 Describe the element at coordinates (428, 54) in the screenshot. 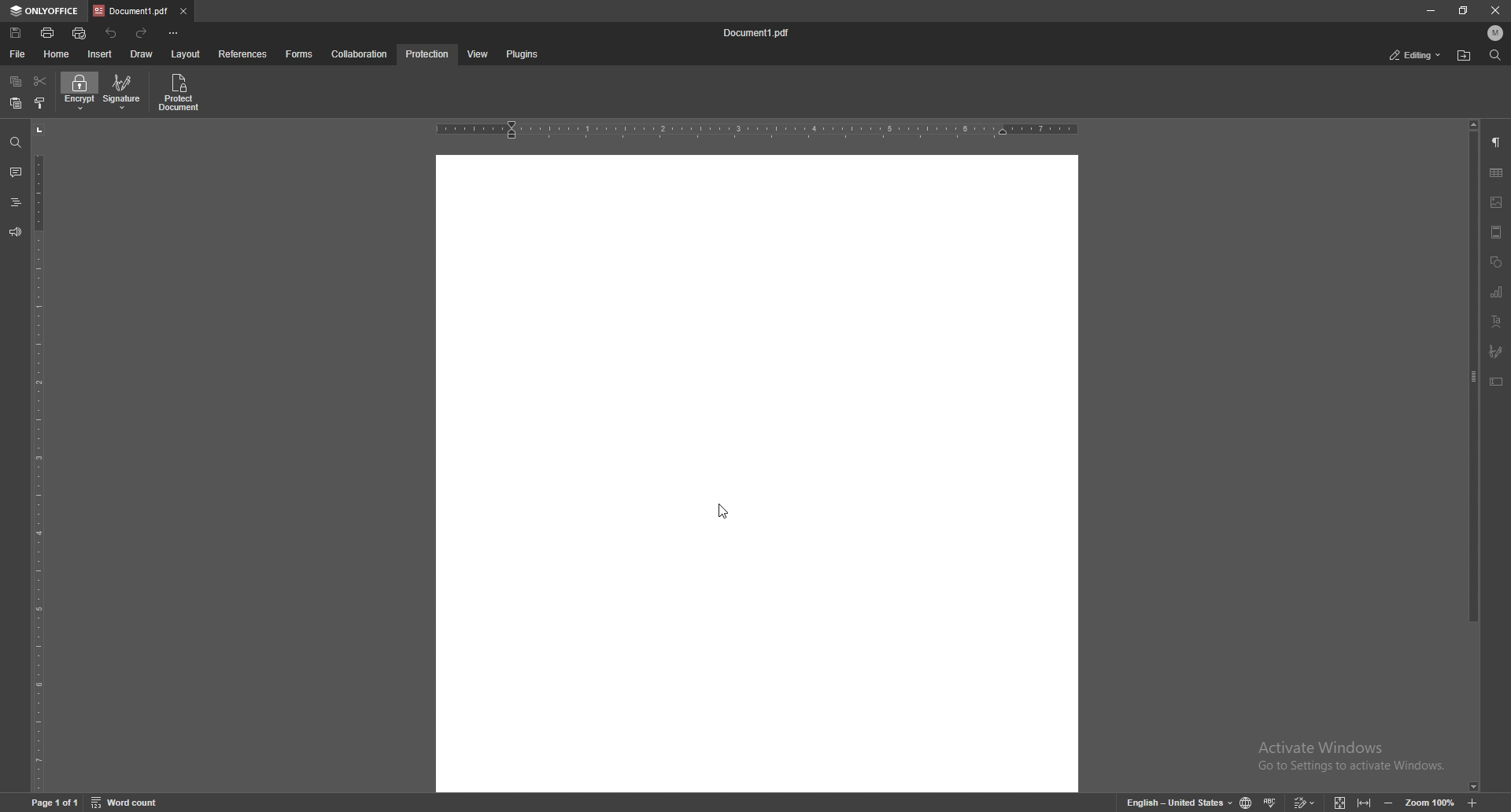

I see `protection` at that location.